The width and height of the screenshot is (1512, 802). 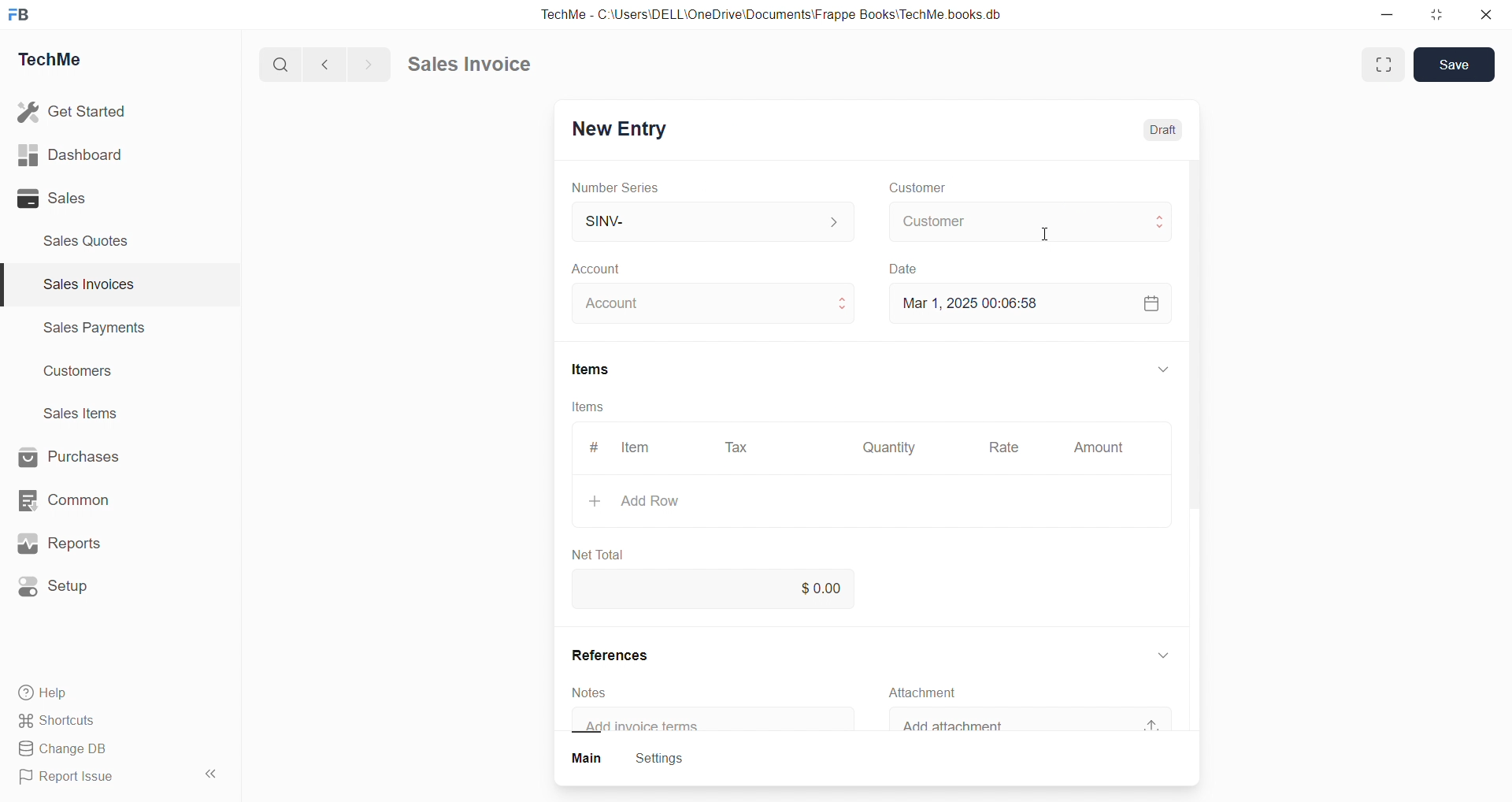 I want to click on New Entry, so click(x=625, y=126).